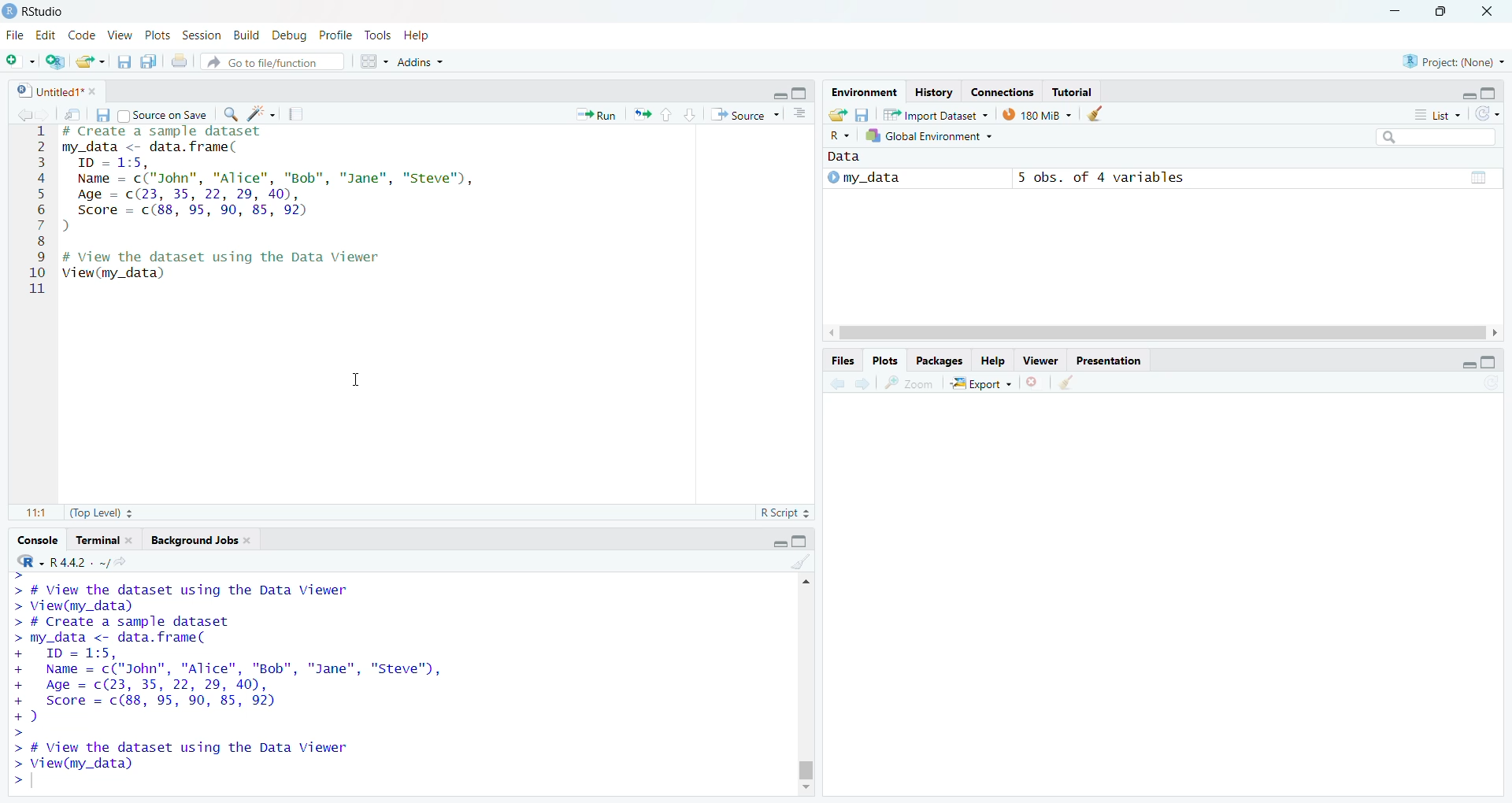 This screenshot has height=803, width=1512. What do you see at coordinates (863, 179) in the screenshot?
I see `My_data` at bounding box center [863, 179].